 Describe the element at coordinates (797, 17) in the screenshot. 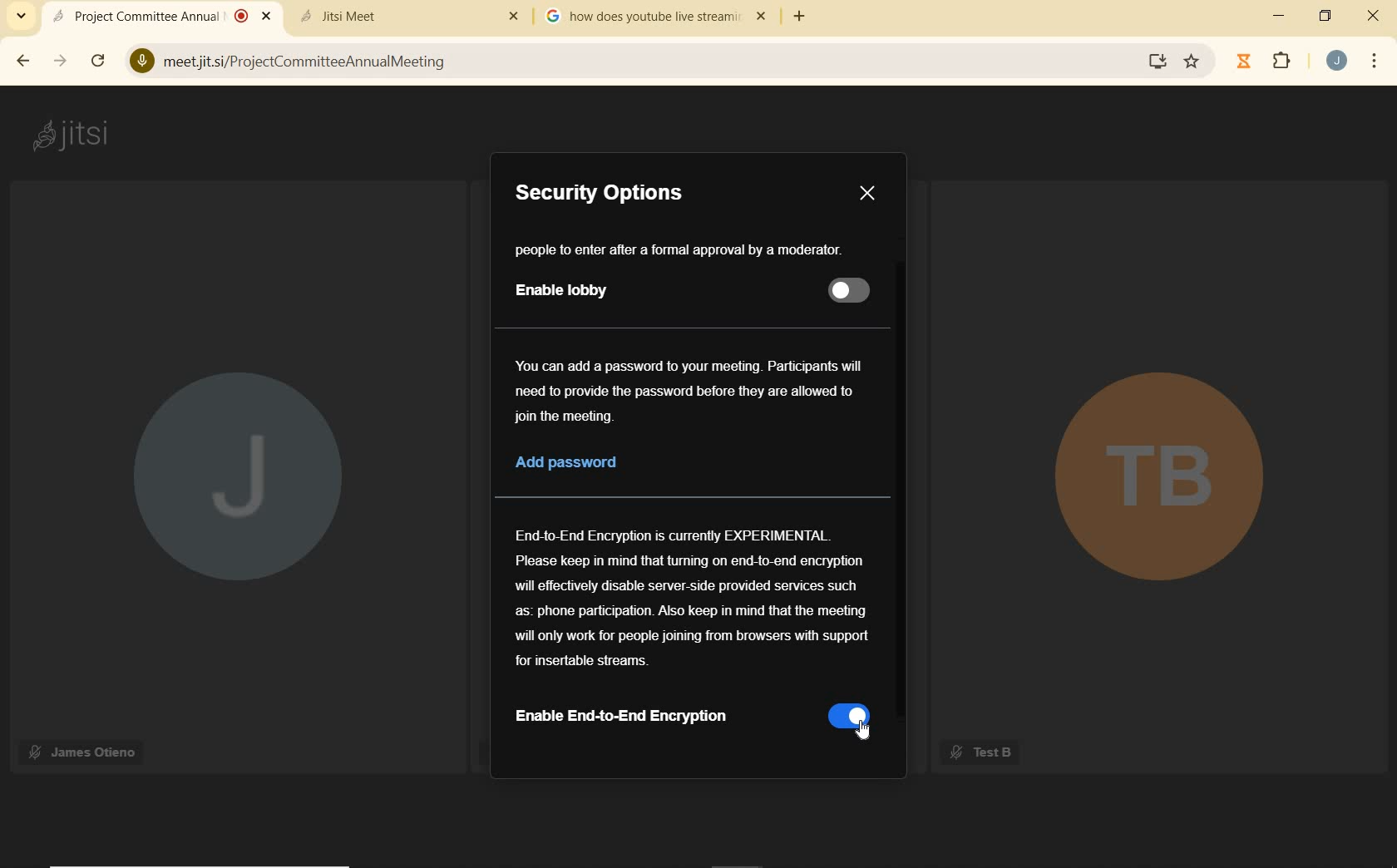

I see `ADD TAB` at that location.